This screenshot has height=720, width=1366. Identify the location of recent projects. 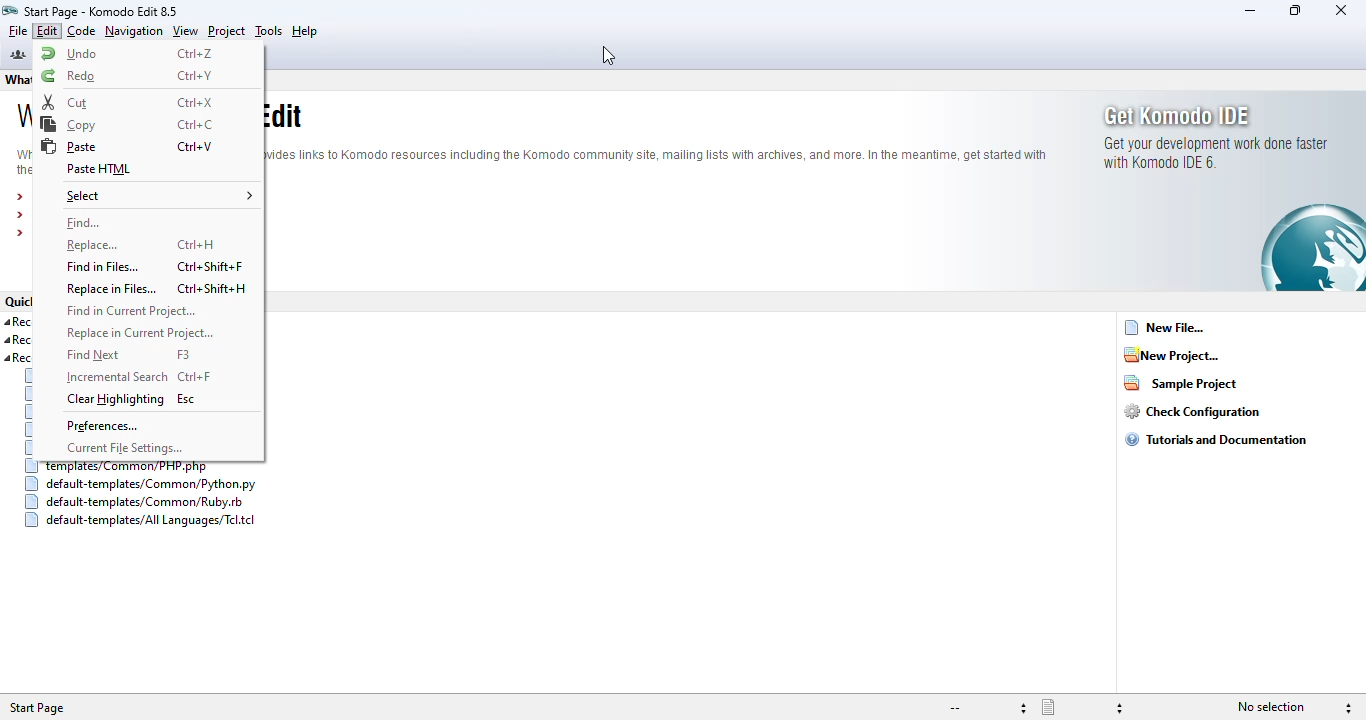
(17, 321).